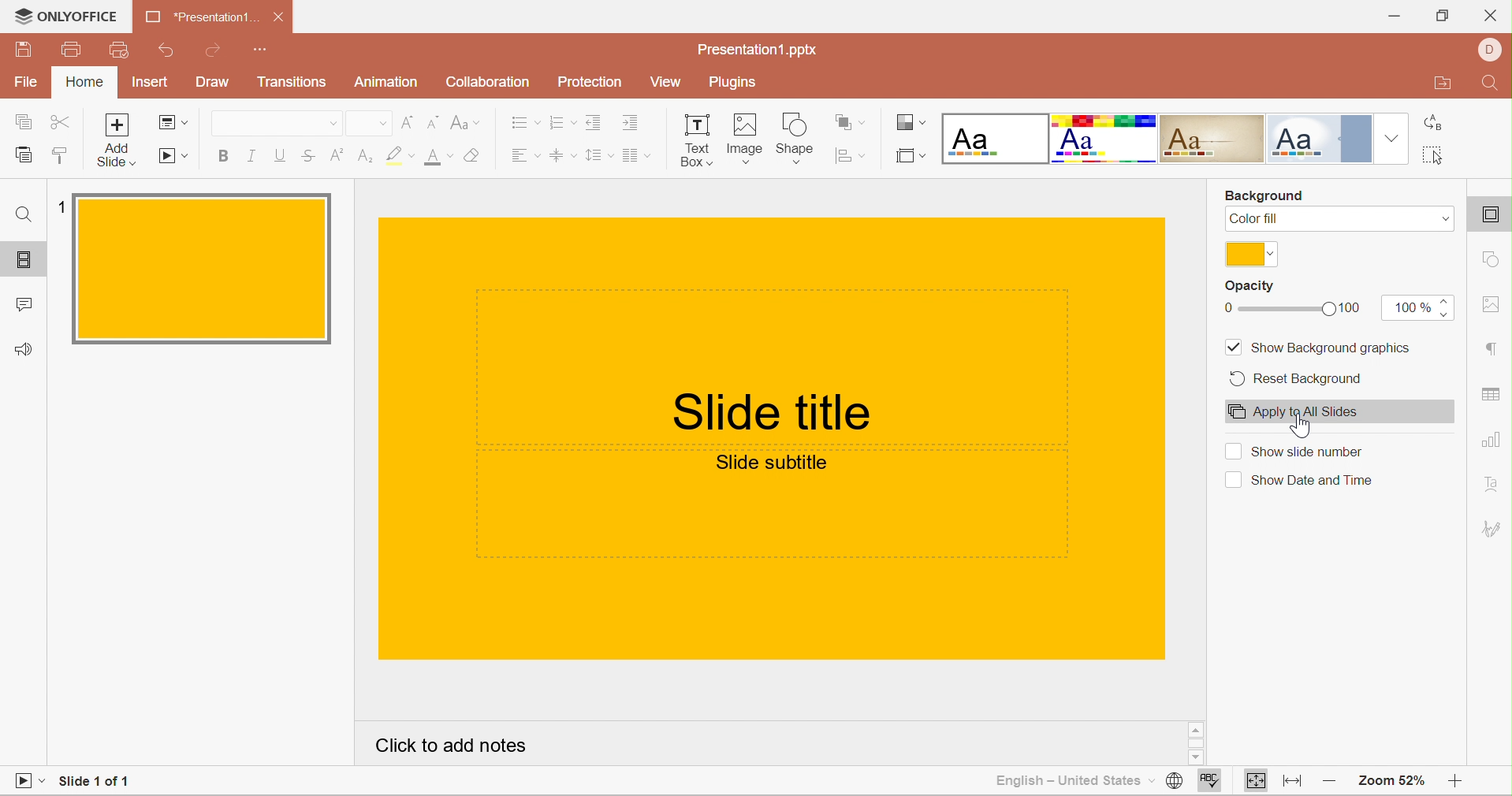 This screenshot has height=796, width=1512. Describe the element at coordinates (24, 48) in the screenshot. I see `Save` at that location.